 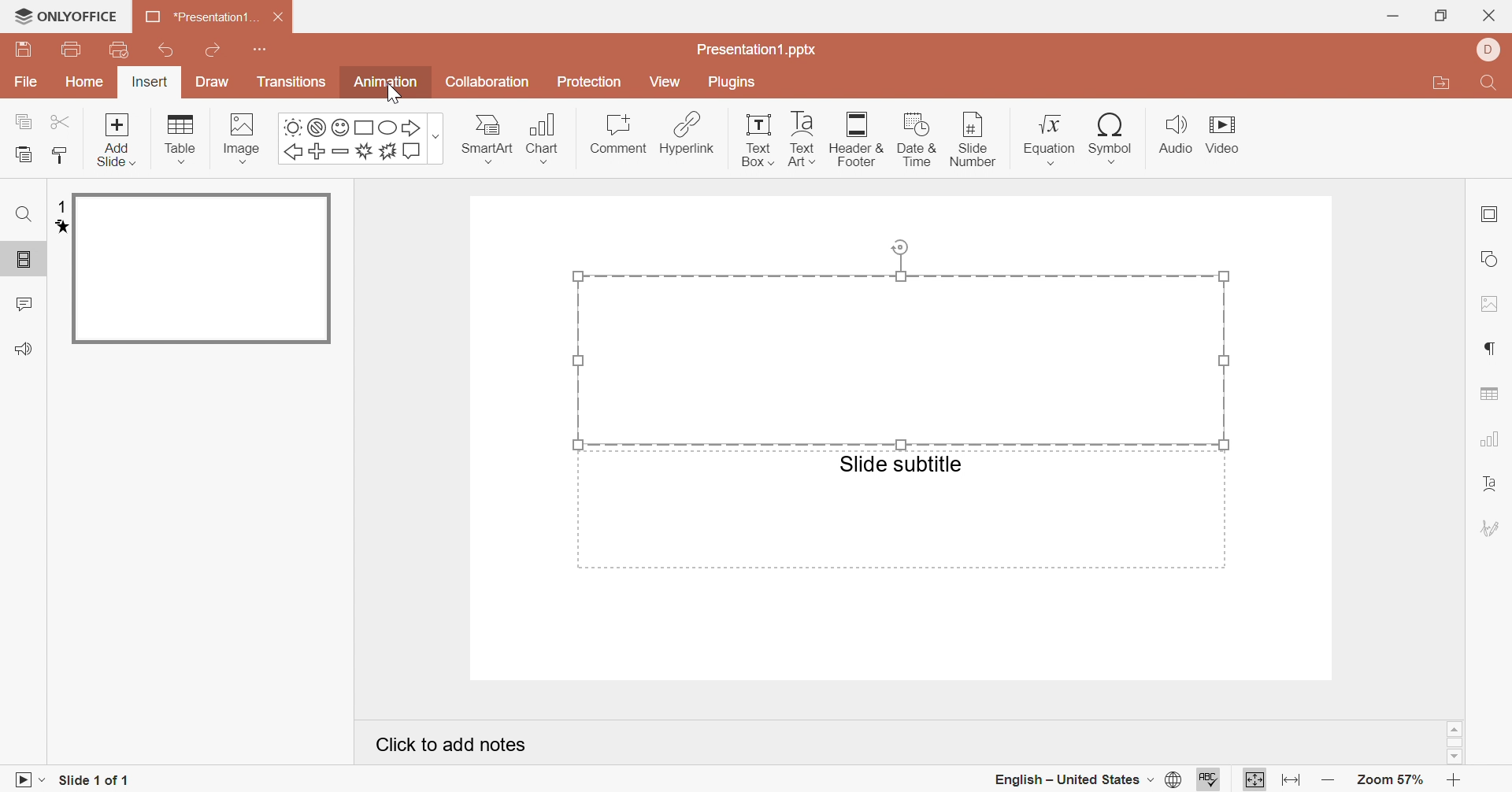 I want to click on english - united states, so click(x=1072, y=781).